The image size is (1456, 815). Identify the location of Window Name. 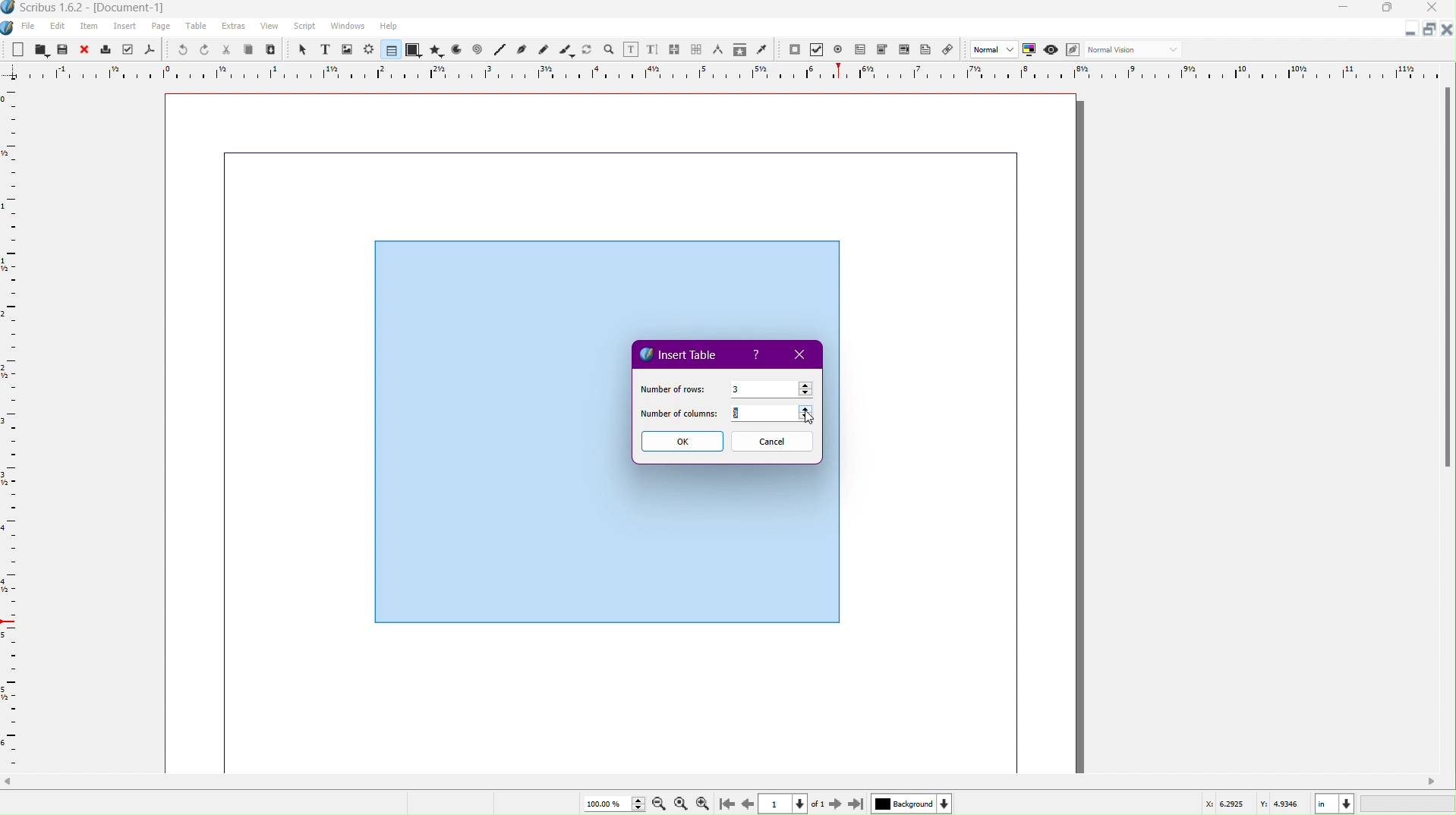
(92, 8).